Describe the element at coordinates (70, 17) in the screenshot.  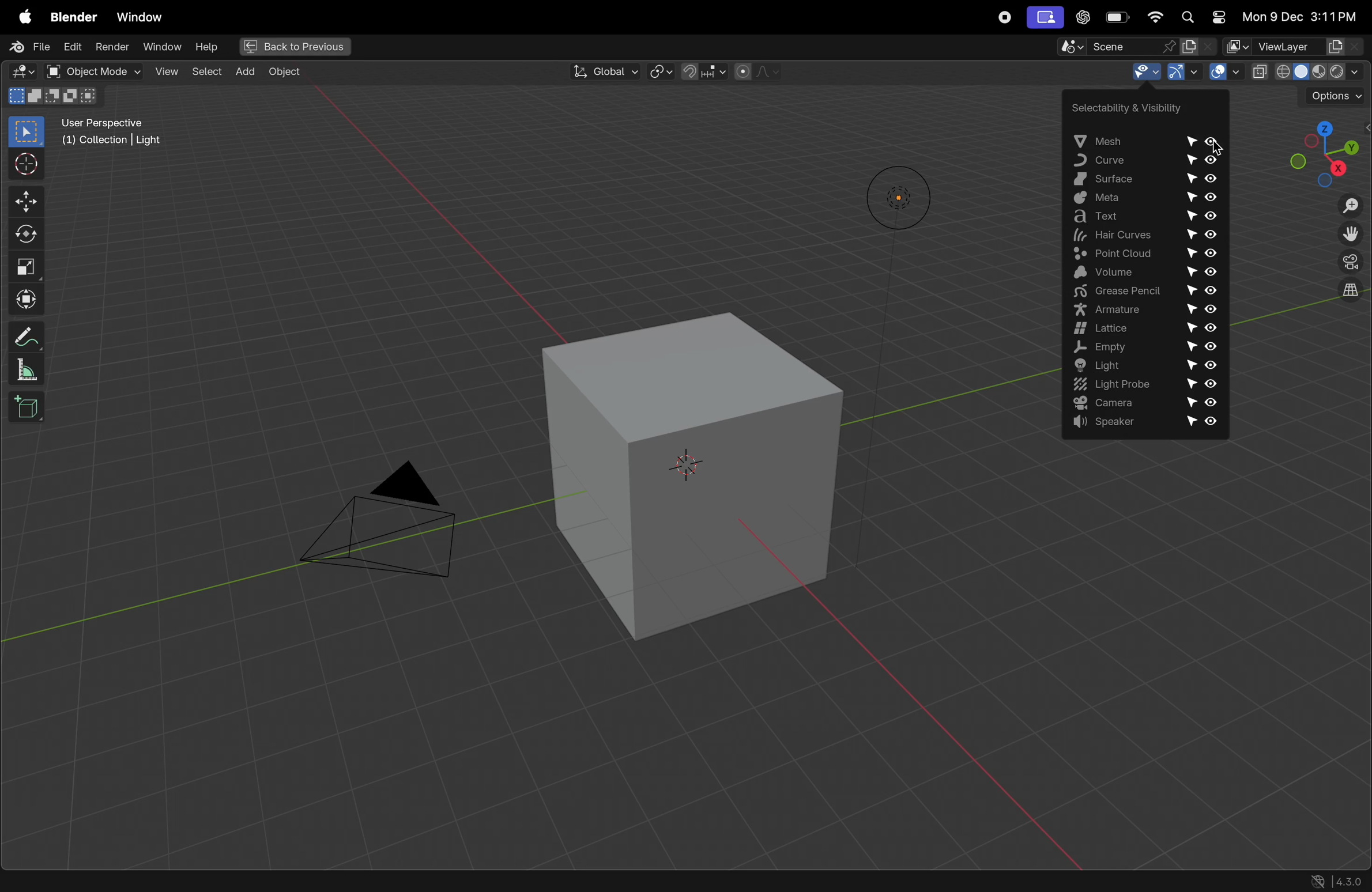
I see `blender` at that location.